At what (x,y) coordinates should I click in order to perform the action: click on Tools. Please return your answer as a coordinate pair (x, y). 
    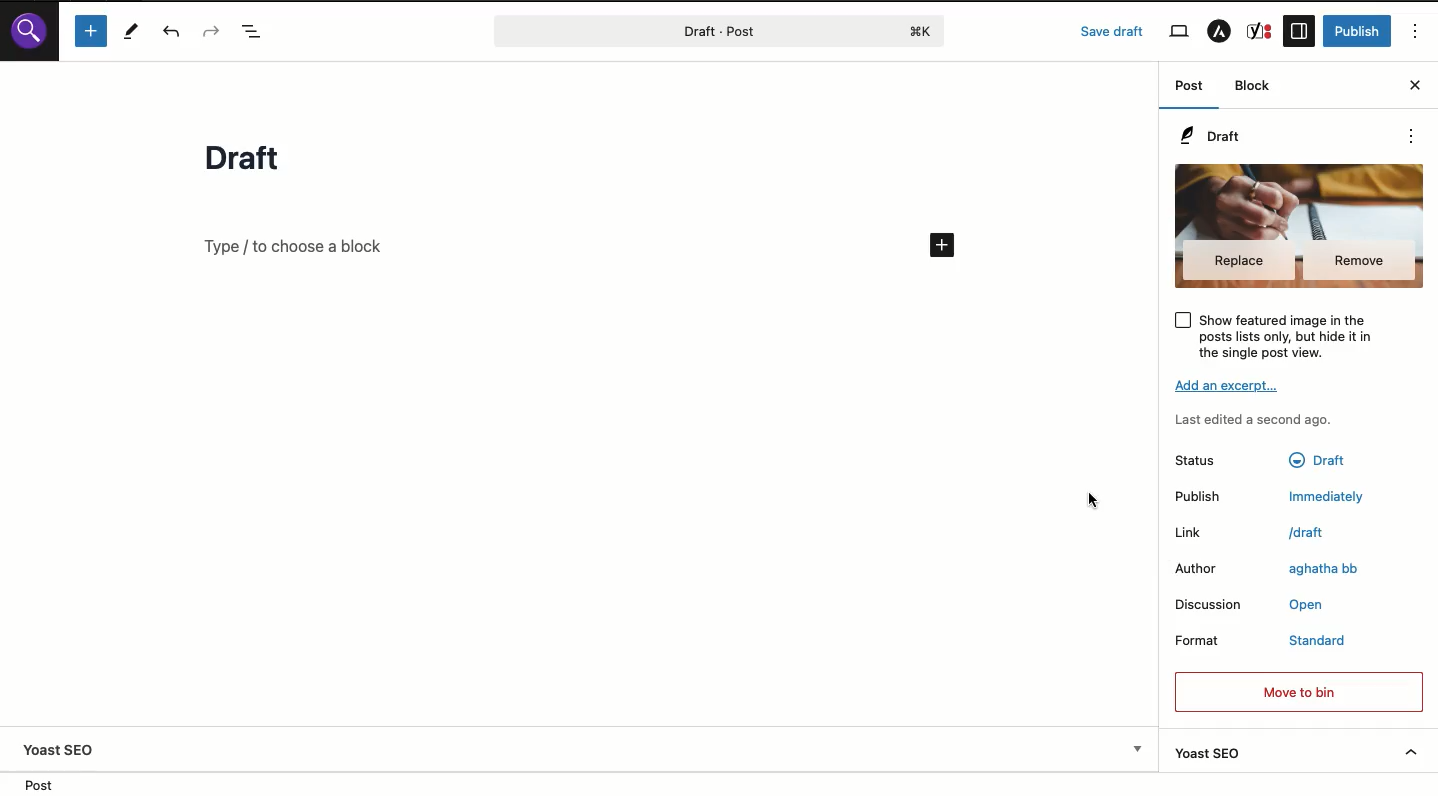
    Looking at the image, I should click on (129, 30).